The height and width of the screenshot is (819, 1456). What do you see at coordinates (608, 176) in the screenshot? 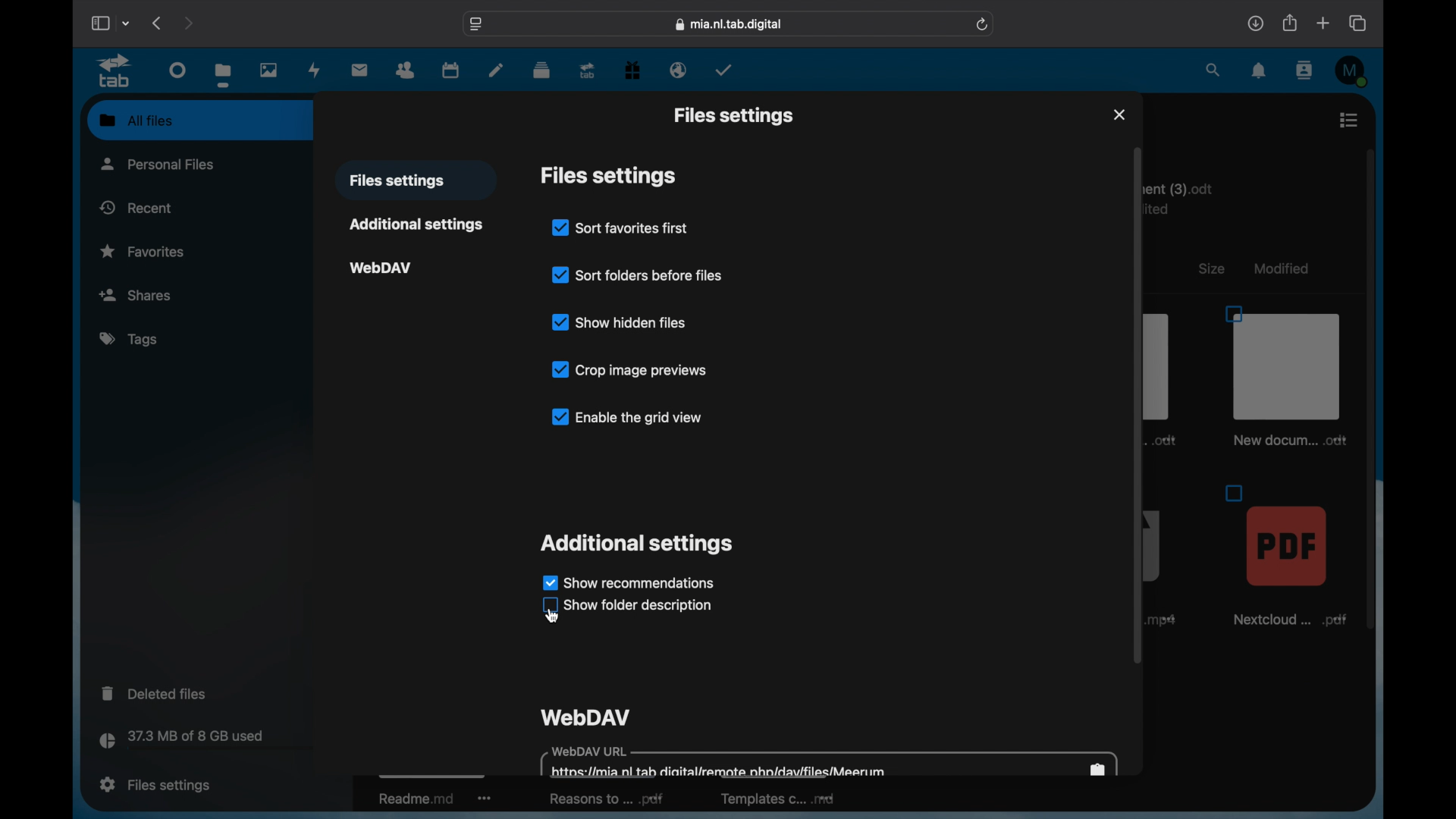
I see `files settings` at bounding box center [608, 176].